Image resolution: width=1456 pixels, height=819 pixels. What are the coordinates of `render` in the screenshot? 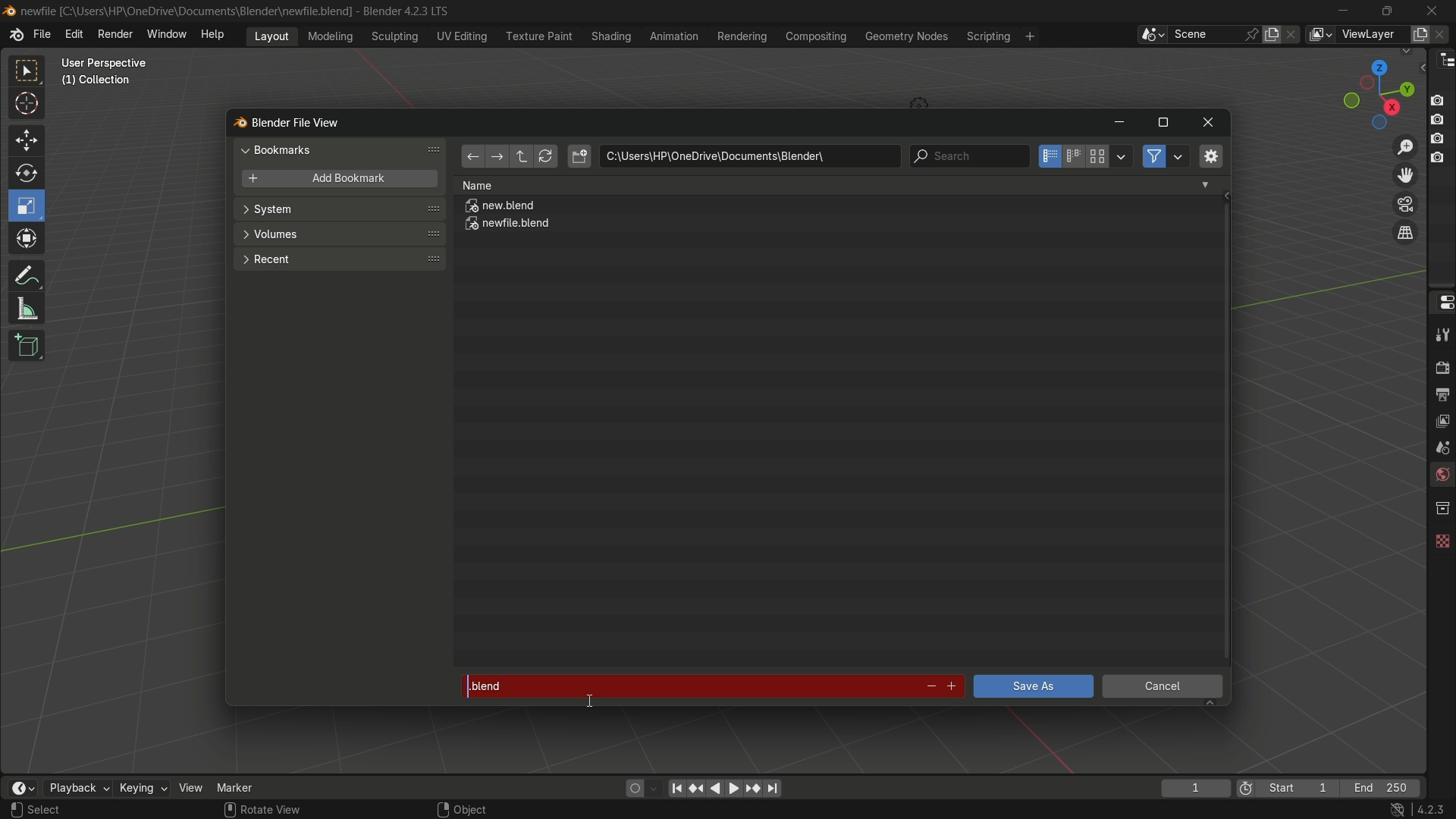 It's located at (1439, 366).